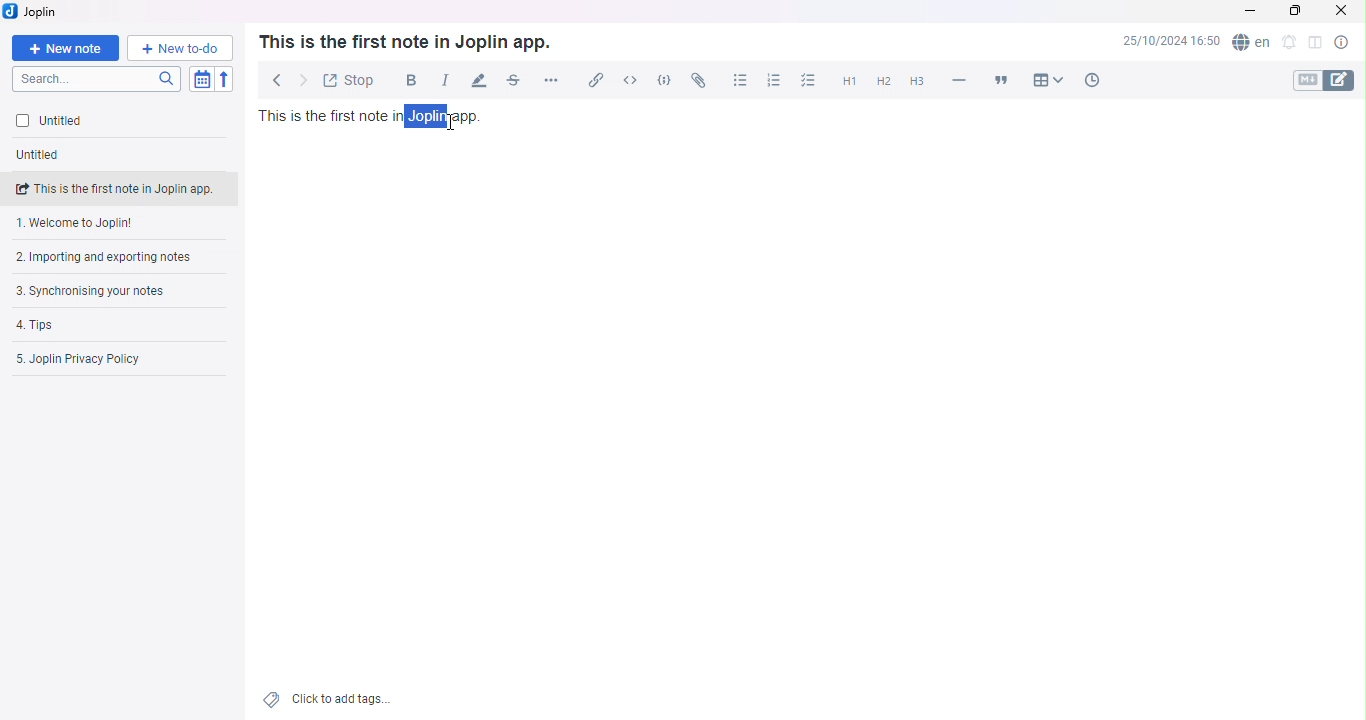  What do you see at coordinates (883, 83) in the screenshot?
I see `Heading 2` at bounding box center [883, 83].